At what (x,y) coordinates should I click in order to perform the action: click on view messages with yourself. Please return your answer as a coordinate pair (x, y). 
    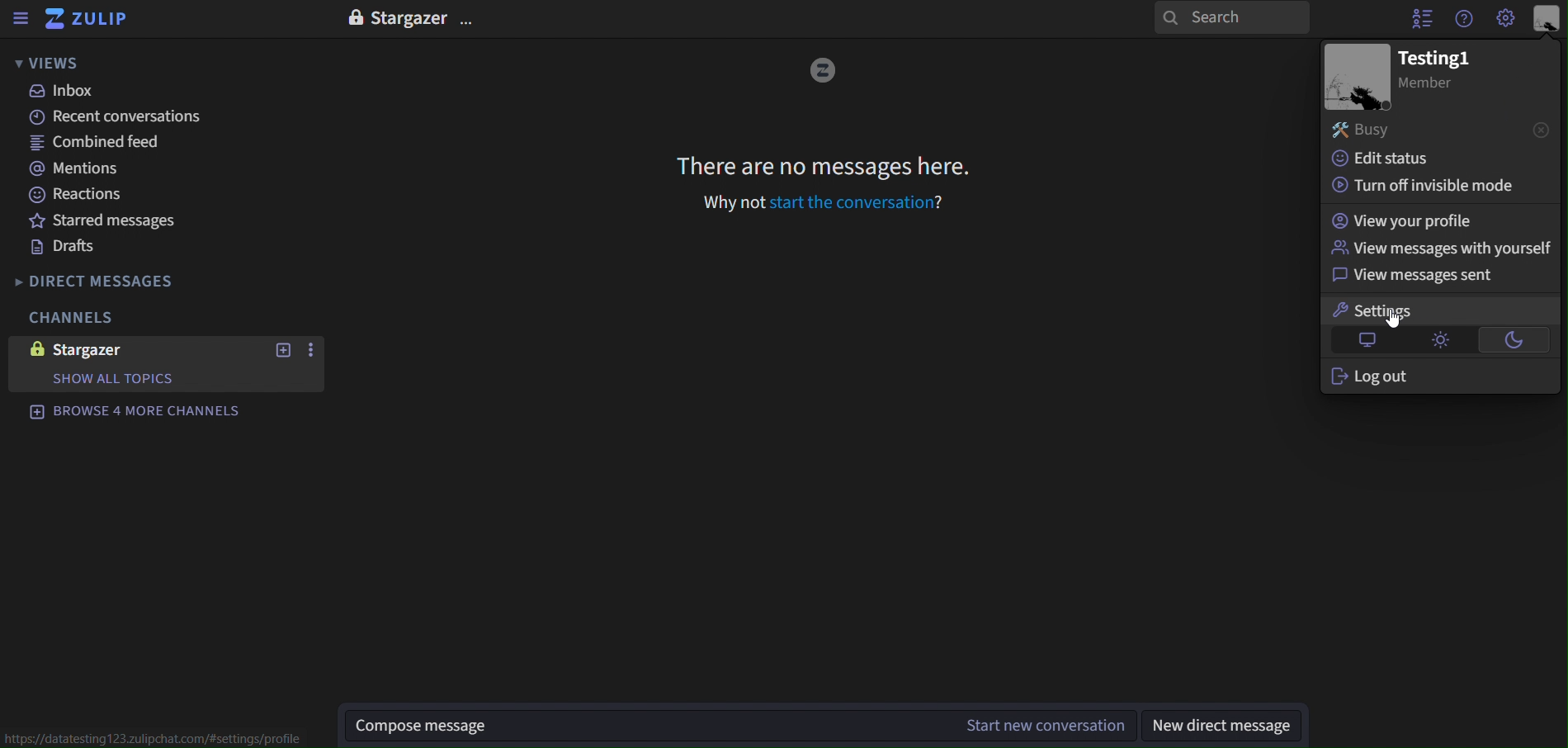
    Looking at the image, I should click on (1438, 248).